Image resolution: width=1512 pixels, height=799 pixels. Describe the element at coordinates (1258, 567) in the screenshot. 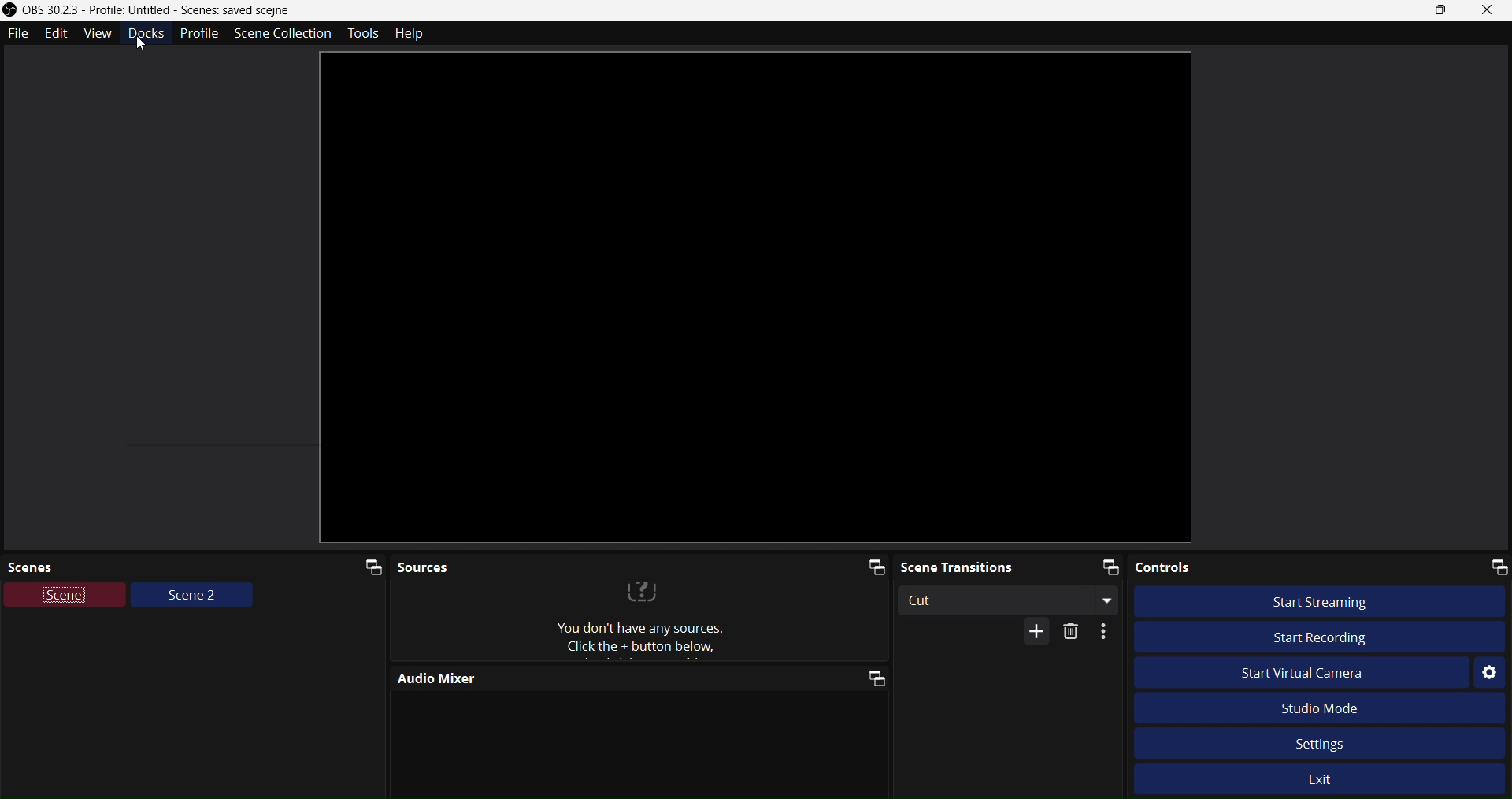

I see `Controls` at that location.